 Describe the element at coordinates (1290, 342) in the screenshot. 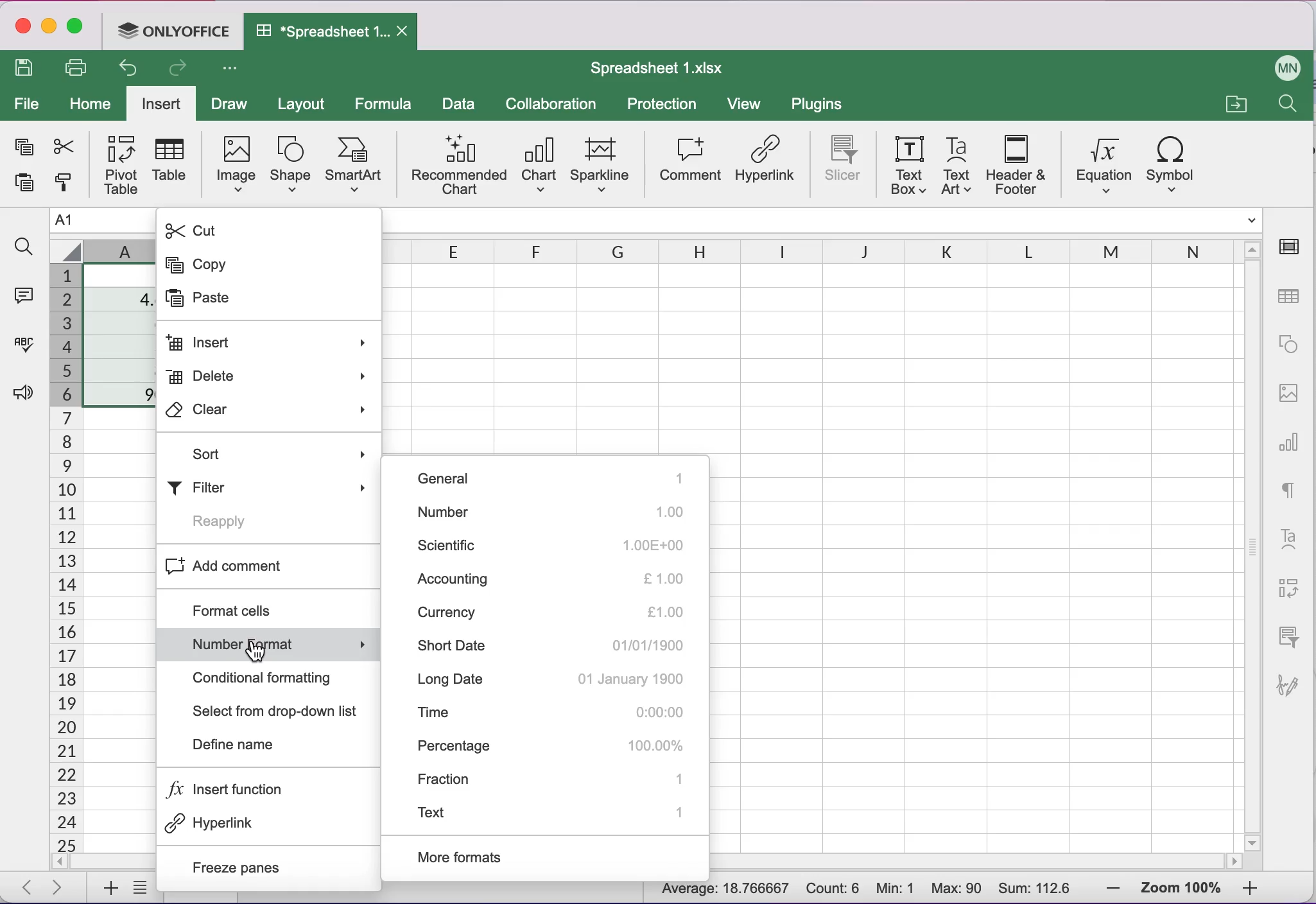

I see `shape` at that location.